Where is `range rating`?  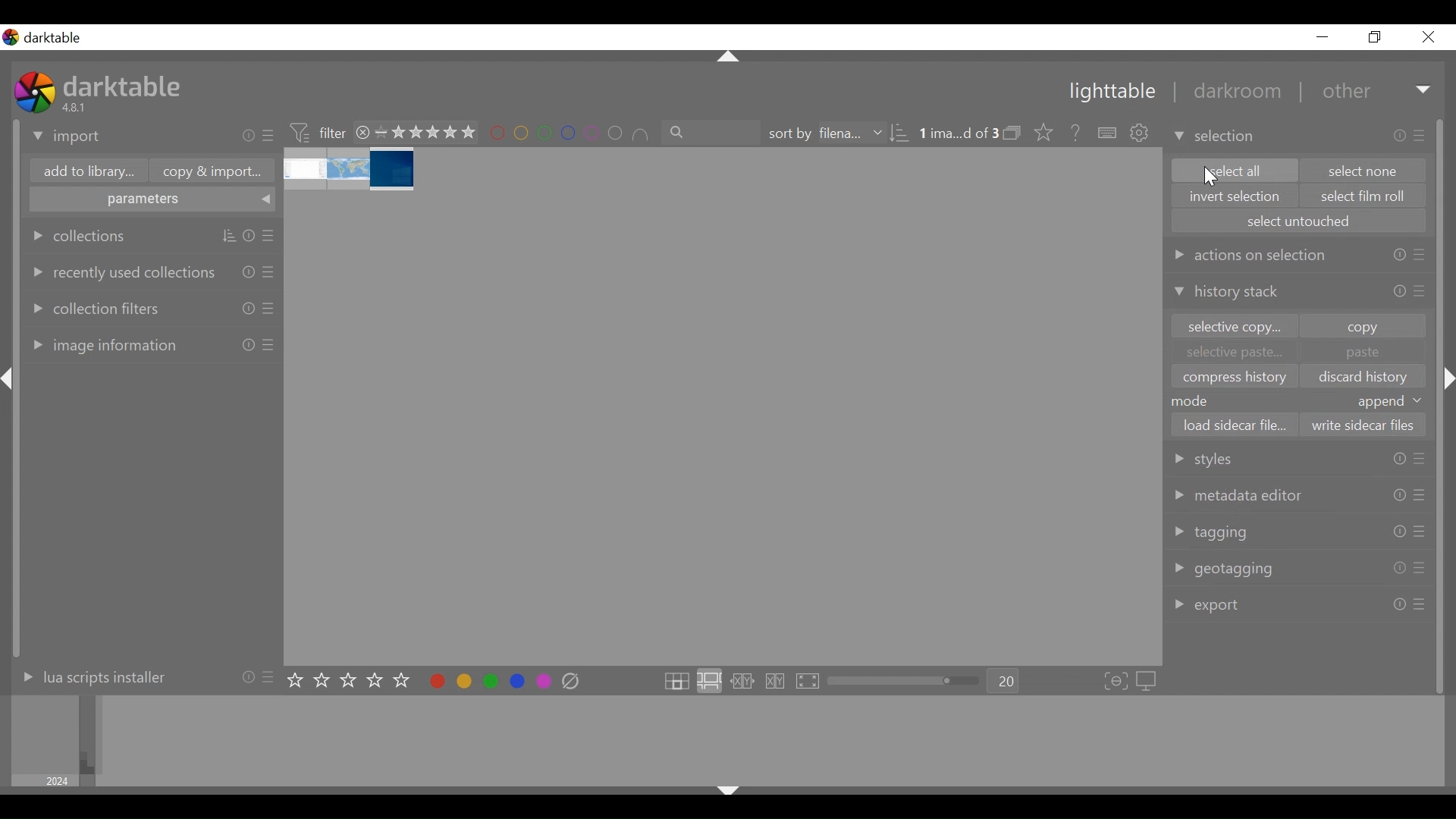
range rating is located at coordinates (425, 133).